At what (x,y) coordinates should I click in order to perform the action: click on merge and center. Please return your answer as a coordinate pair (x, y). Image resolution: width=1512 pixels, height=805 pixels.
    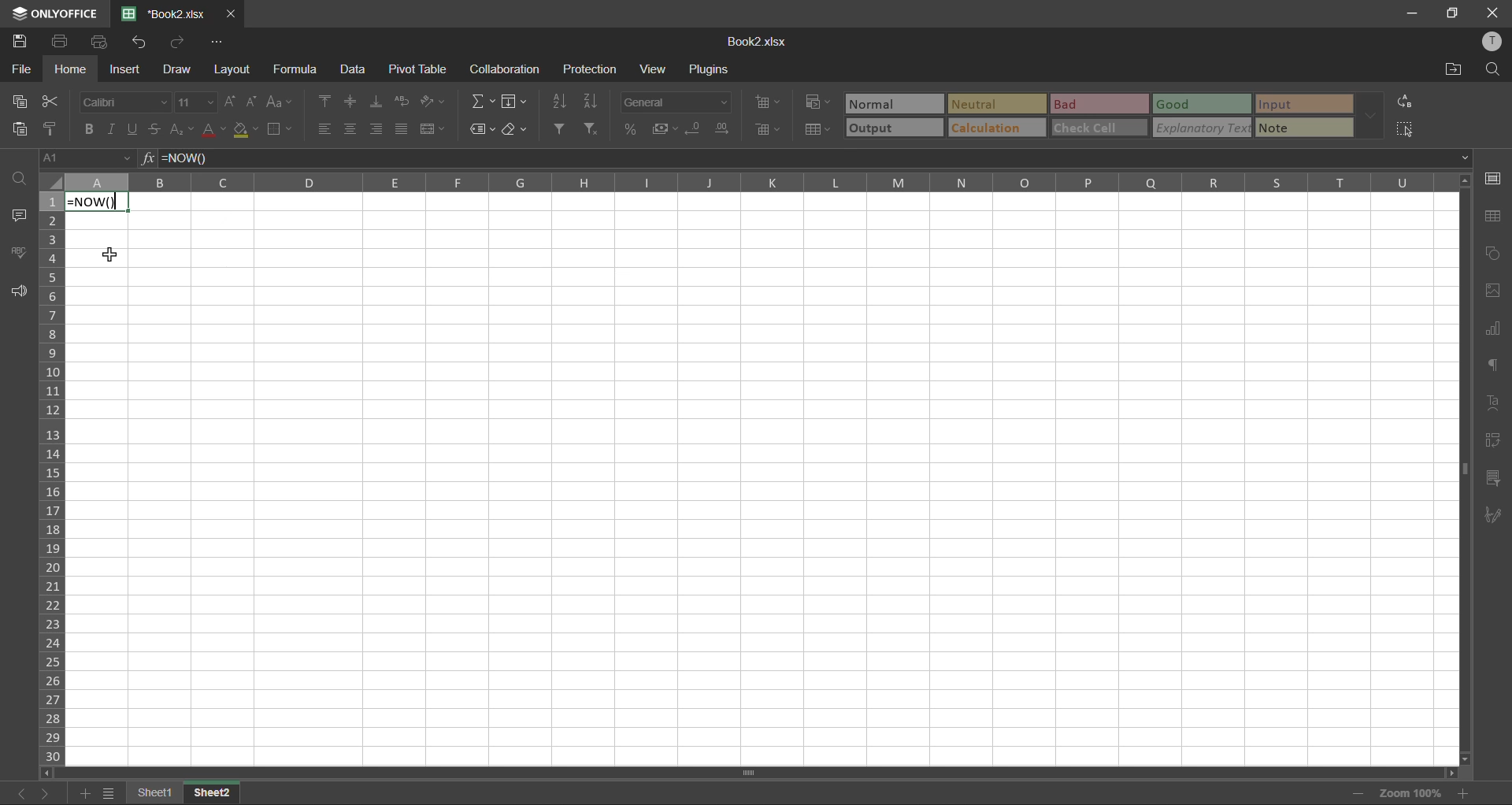
    Looking at the image, I should click on (433, 129).